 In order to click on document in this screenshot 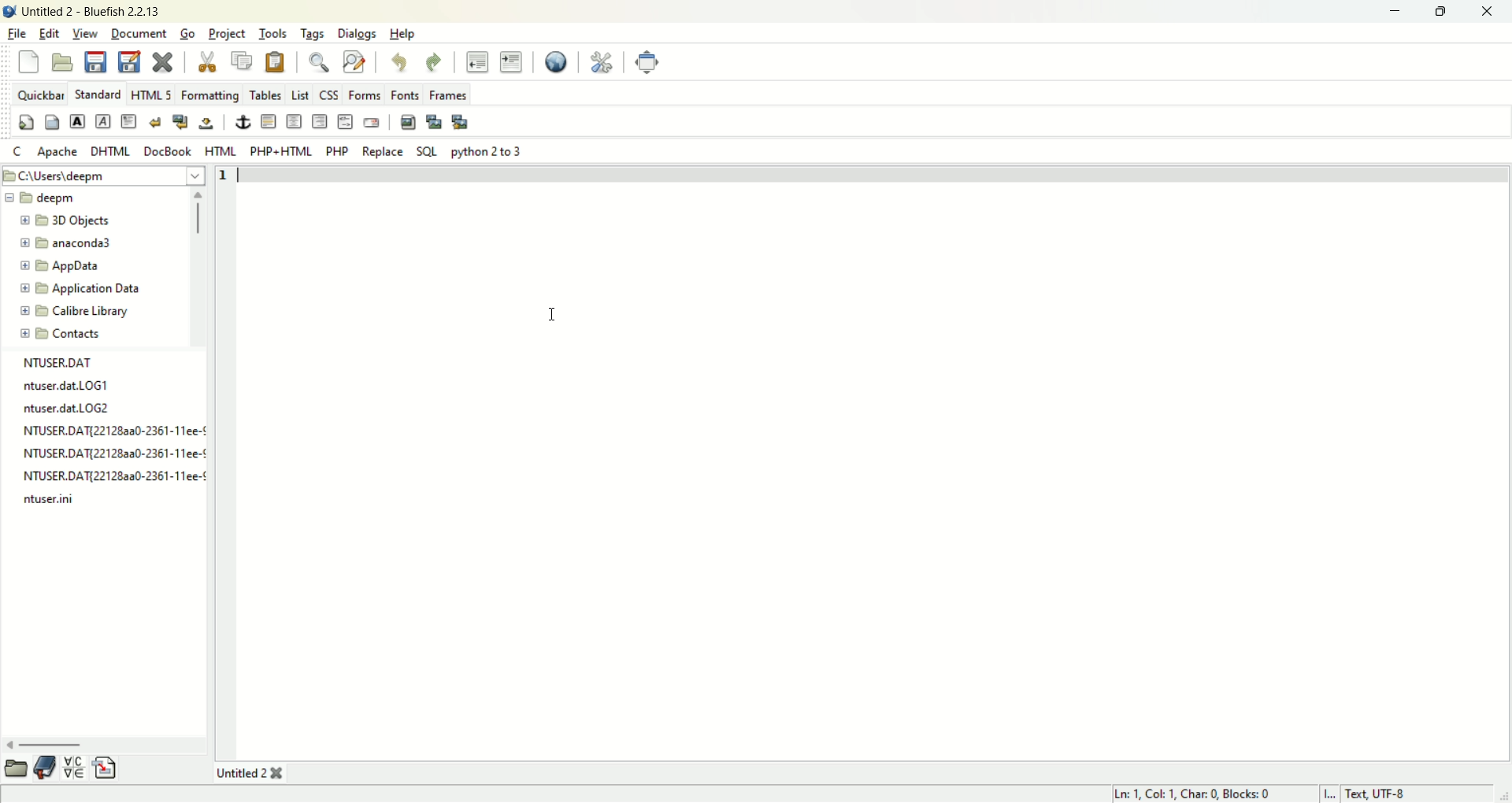, I will do `click(141, 32)`.